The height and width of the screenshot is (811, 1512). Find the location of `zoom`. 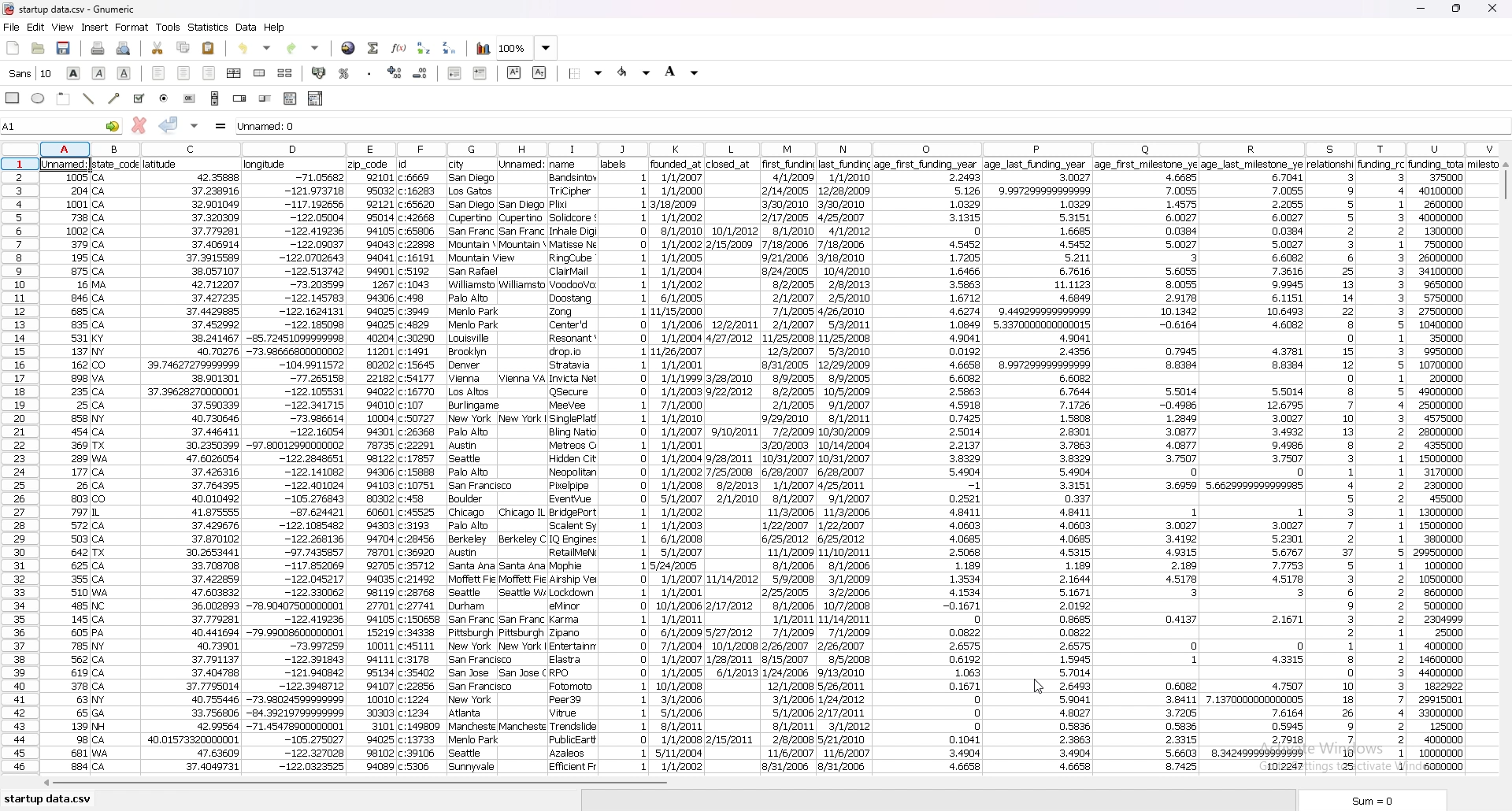

zoom is located at coordinates (528, 49).